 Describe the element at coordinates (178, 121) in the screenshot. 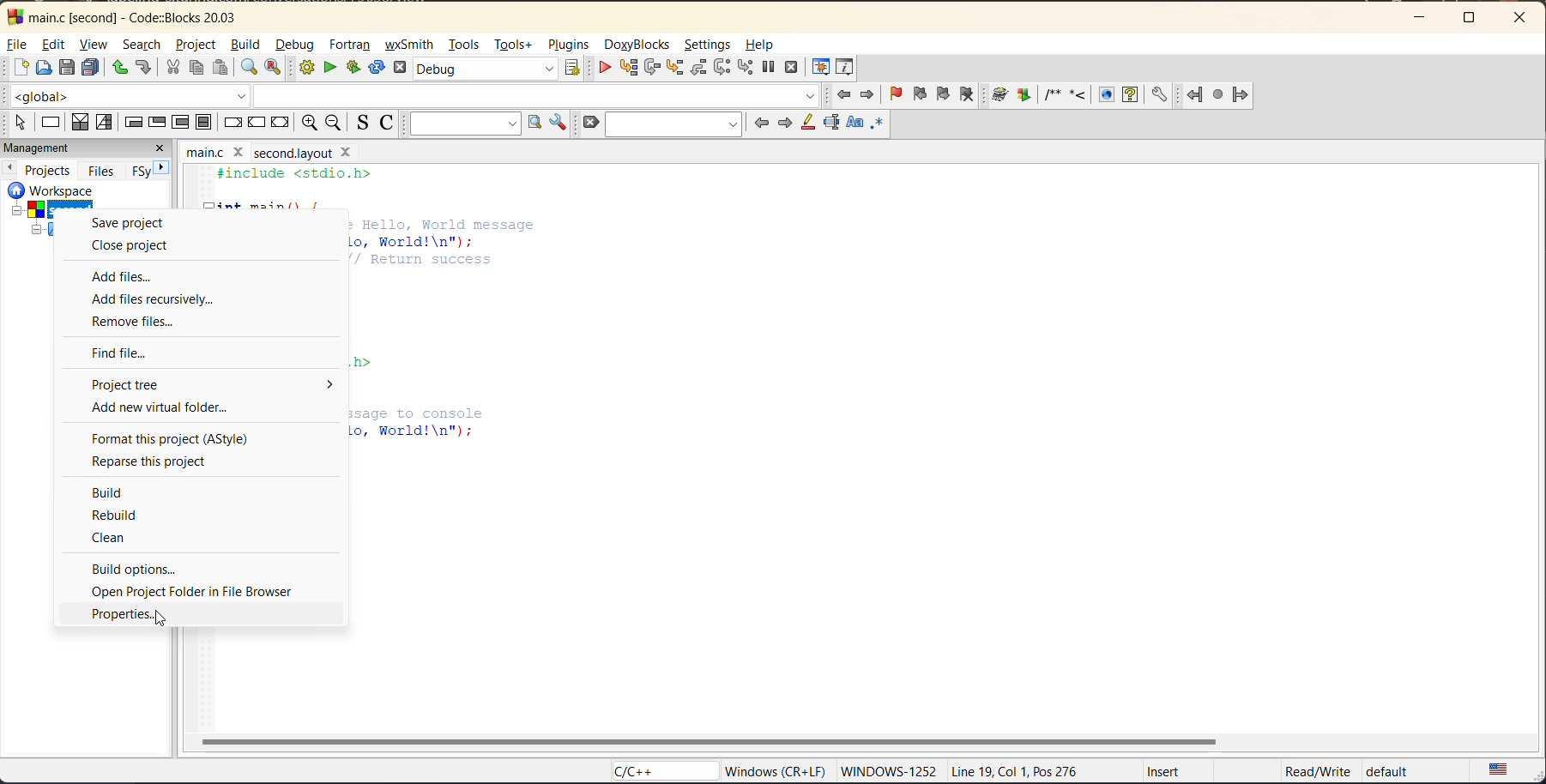

I see `counting loop` at that location.